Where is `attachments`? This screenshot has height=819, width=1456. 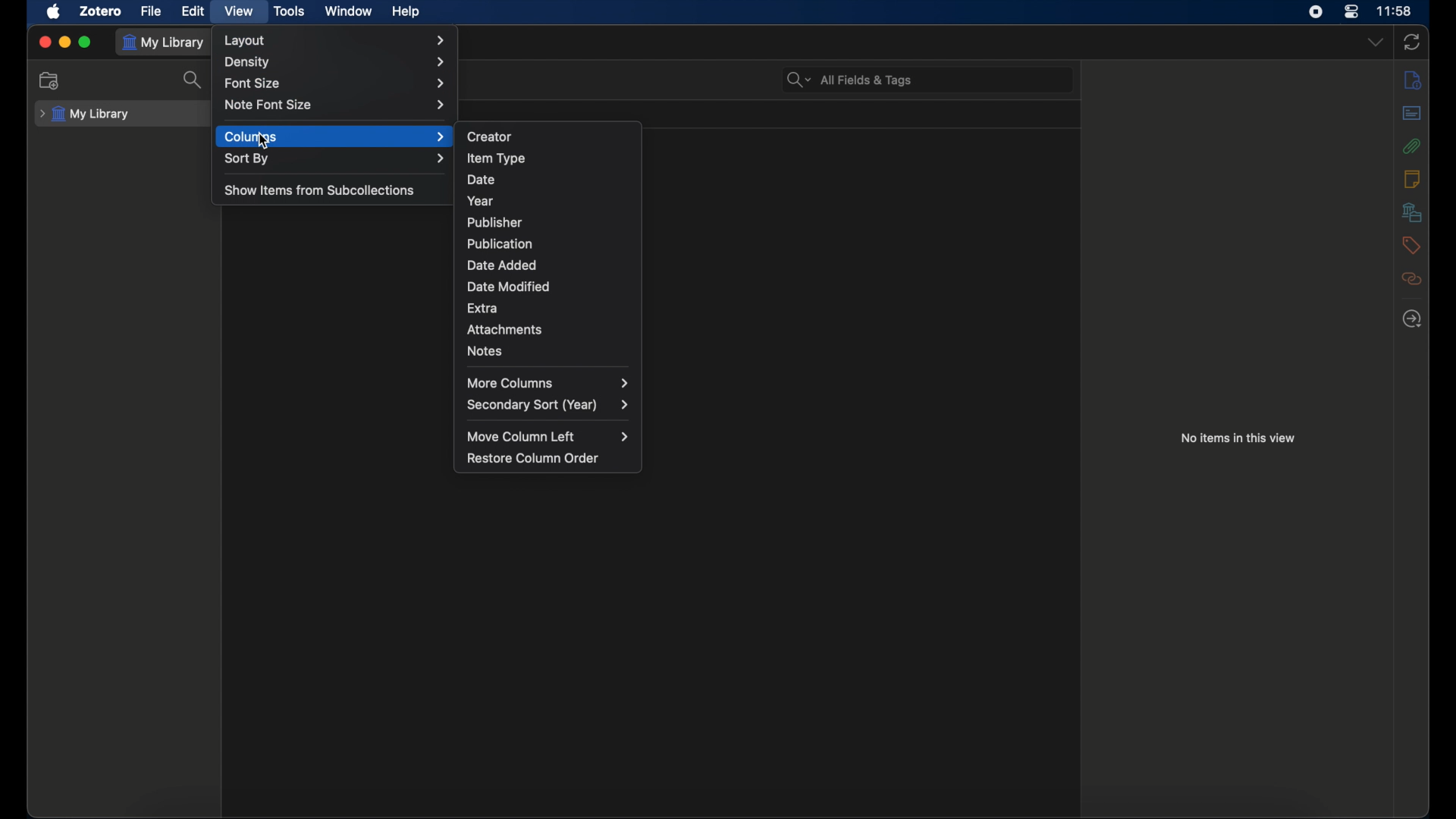
attachments is located at coordinates (504, 329).